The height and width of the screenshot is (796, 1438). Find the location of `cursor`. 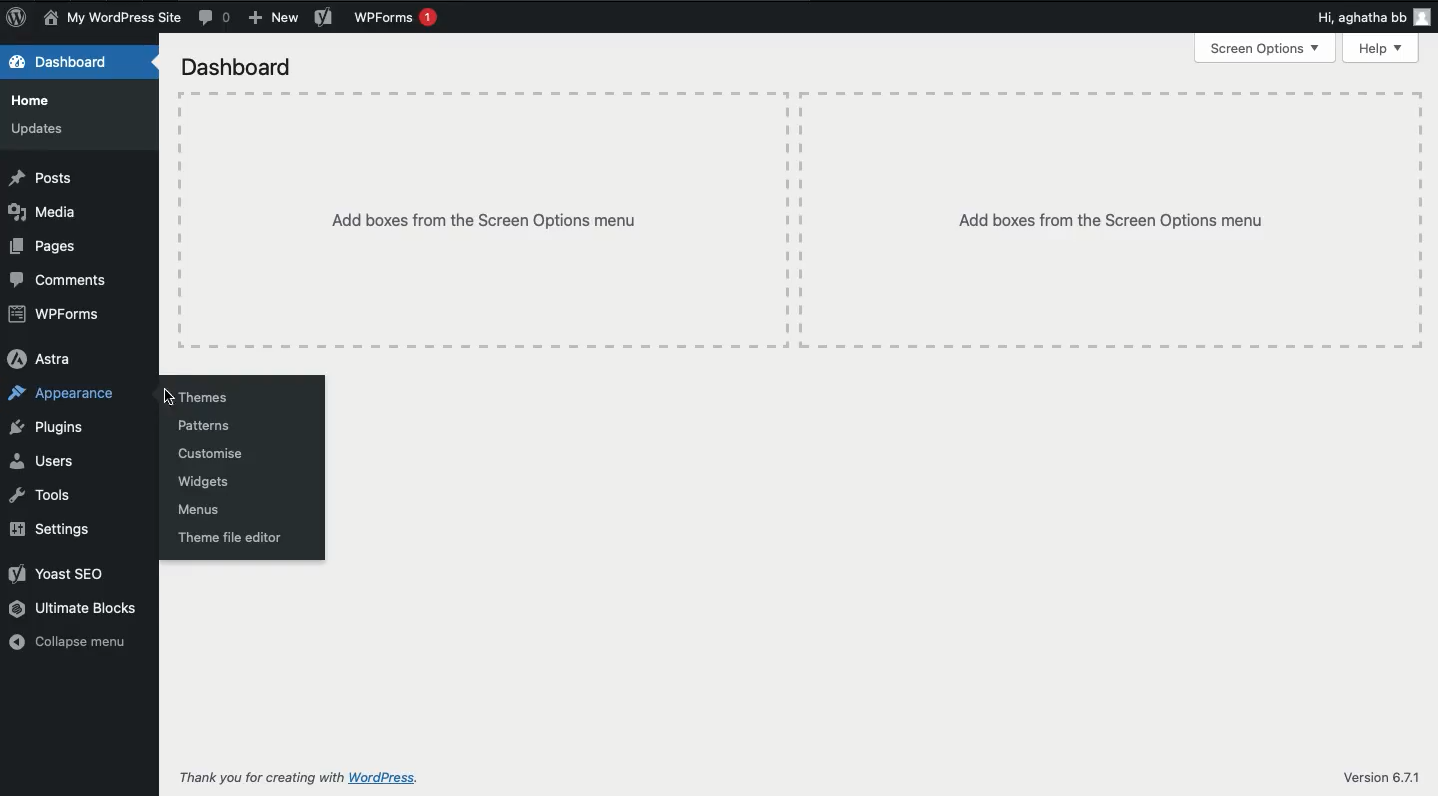

cursor is located at coordinates (165, 397).